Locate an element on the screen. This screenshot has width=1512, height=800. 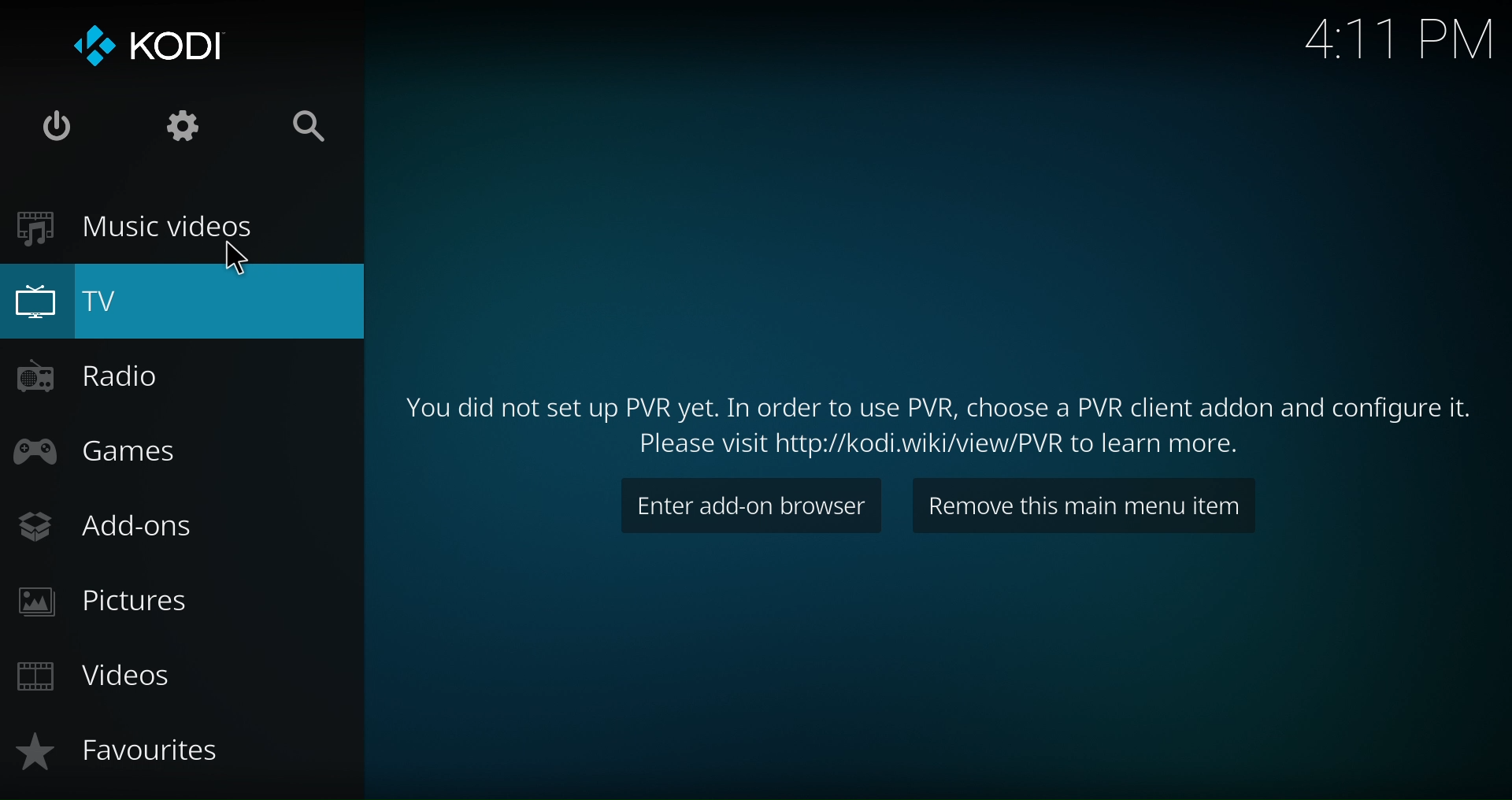
4:11 PM is located at coordinates (1399, 35).